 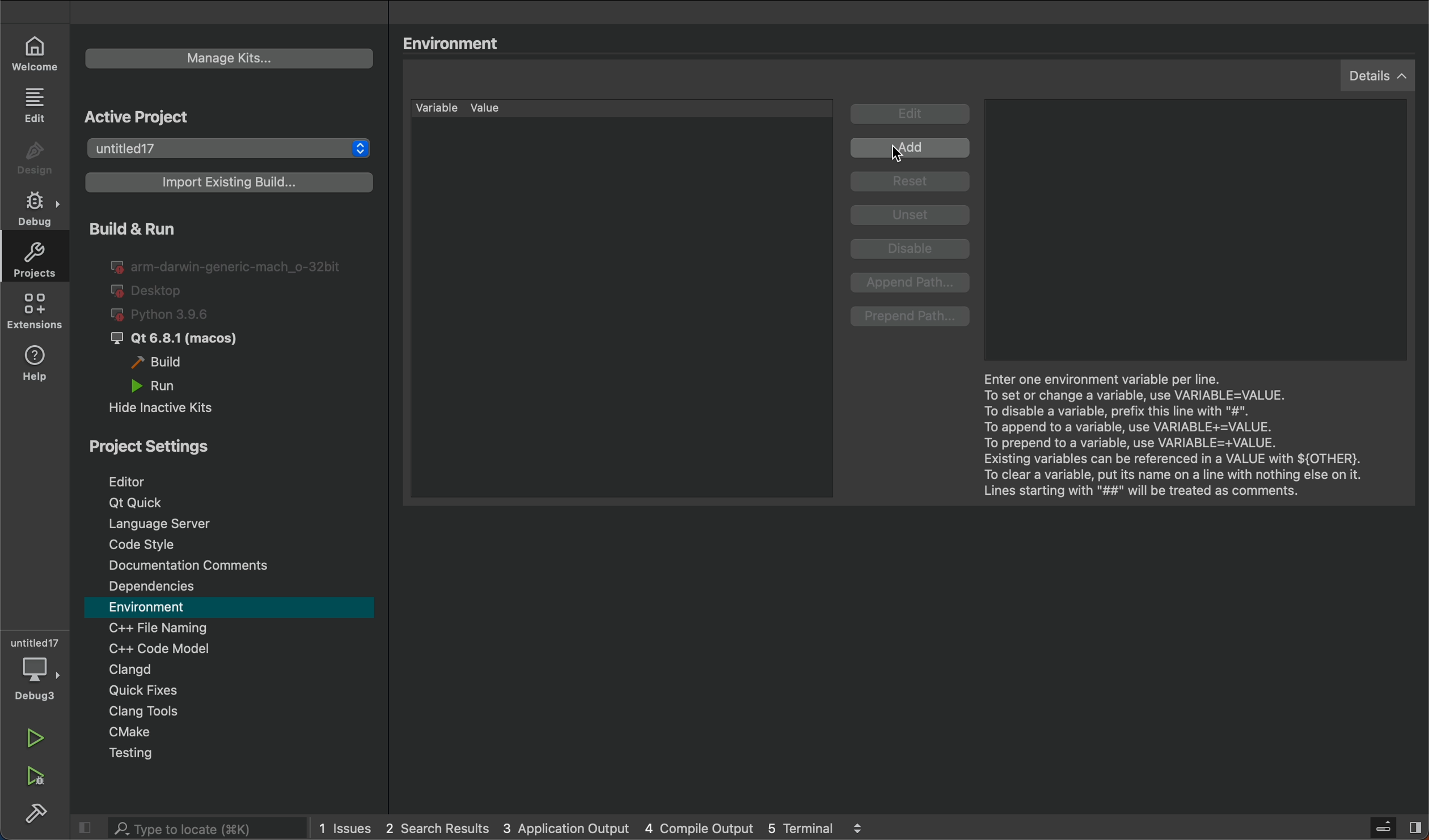 I want to click on toggle sidebar, so click(x=1390, y=827).